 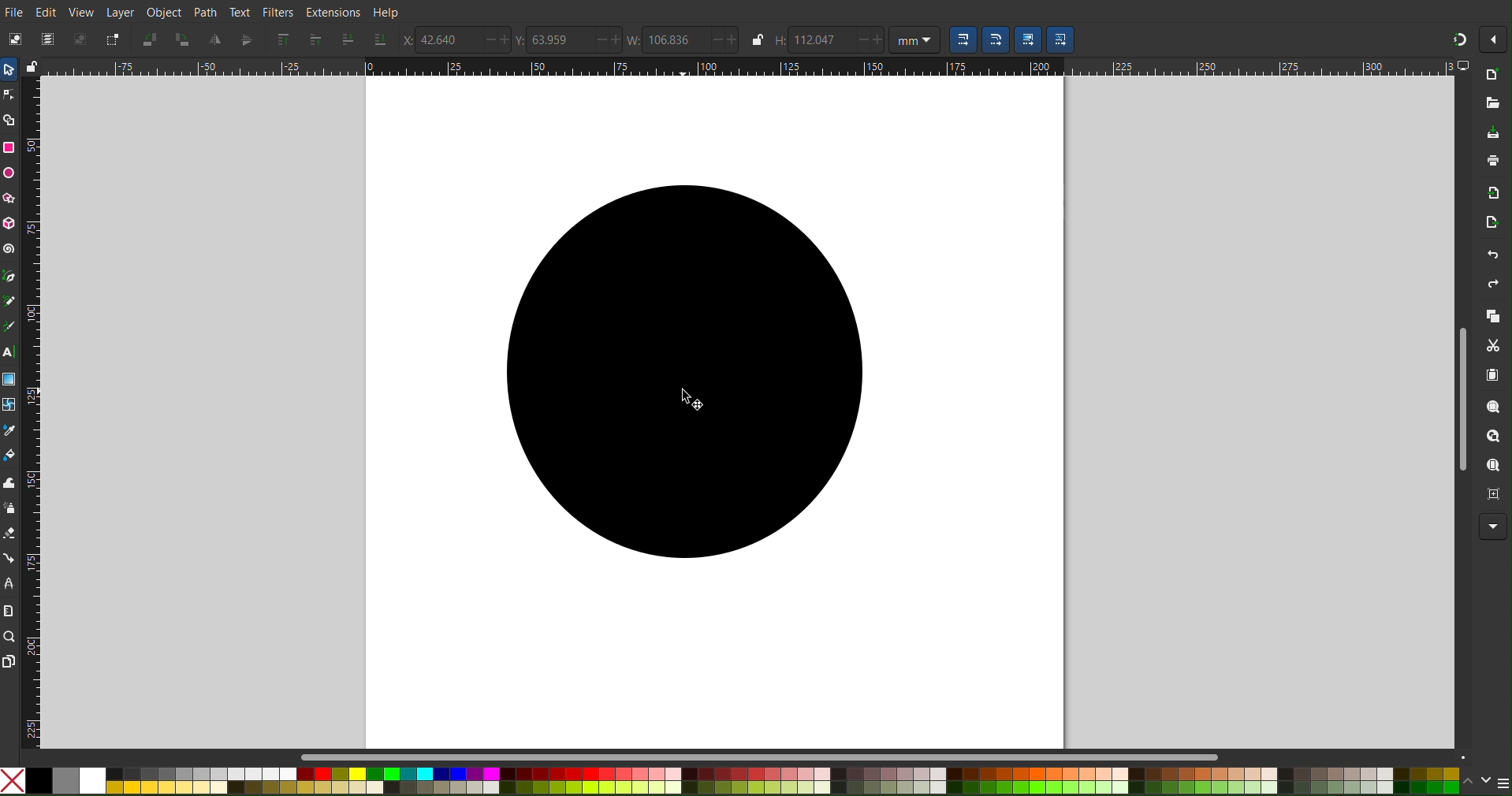 I want to click on Connection, so click(x=9, y=560).